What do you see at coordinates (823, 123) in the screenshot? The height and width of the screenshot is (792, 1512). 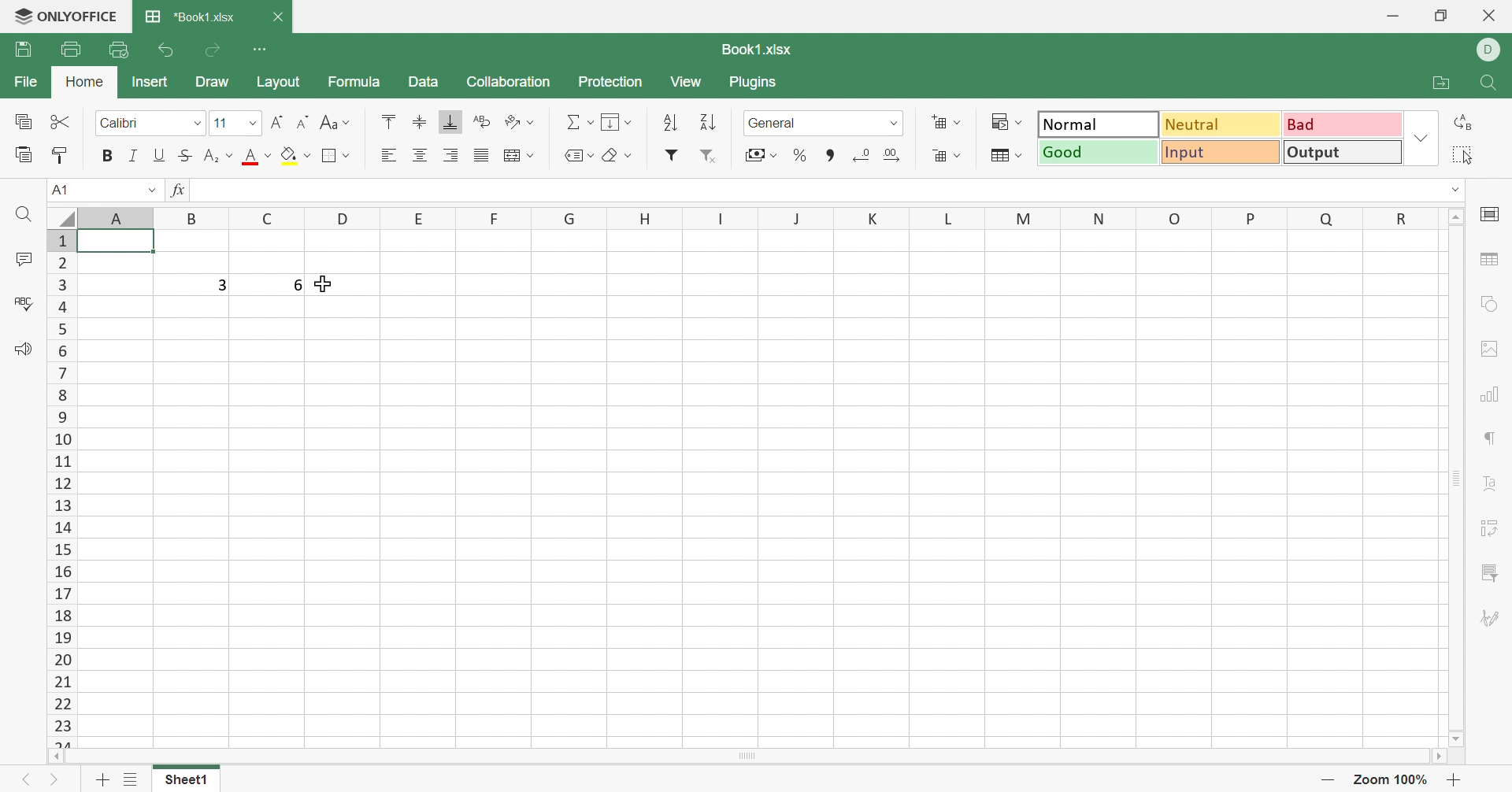 I see `Number format` at bounding box center [823, 123].